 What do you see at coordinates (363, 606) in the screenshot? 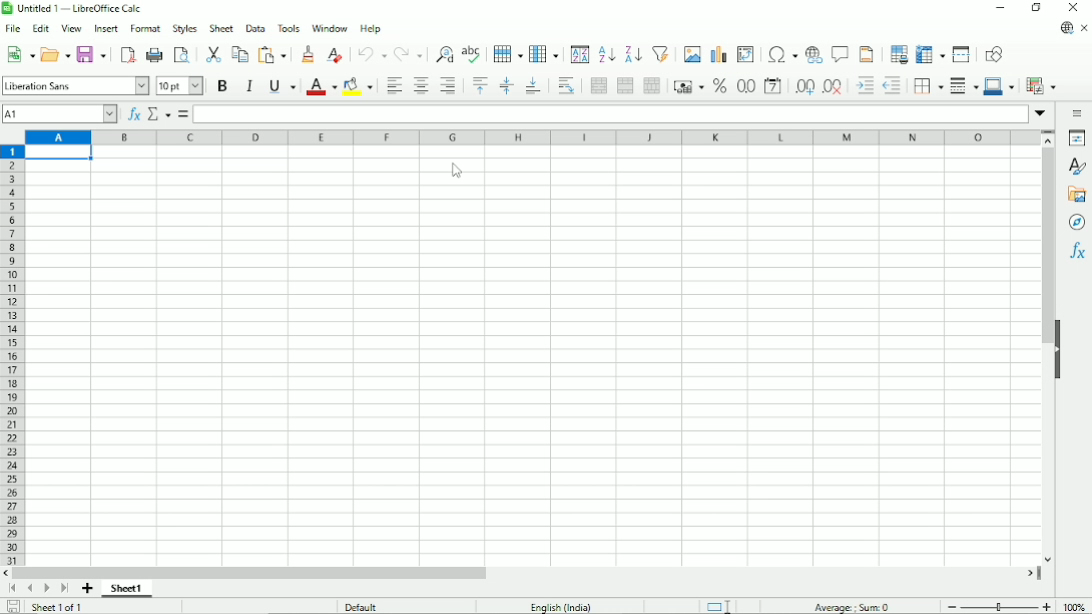
I see `Default` at bounding box center [363, 606].